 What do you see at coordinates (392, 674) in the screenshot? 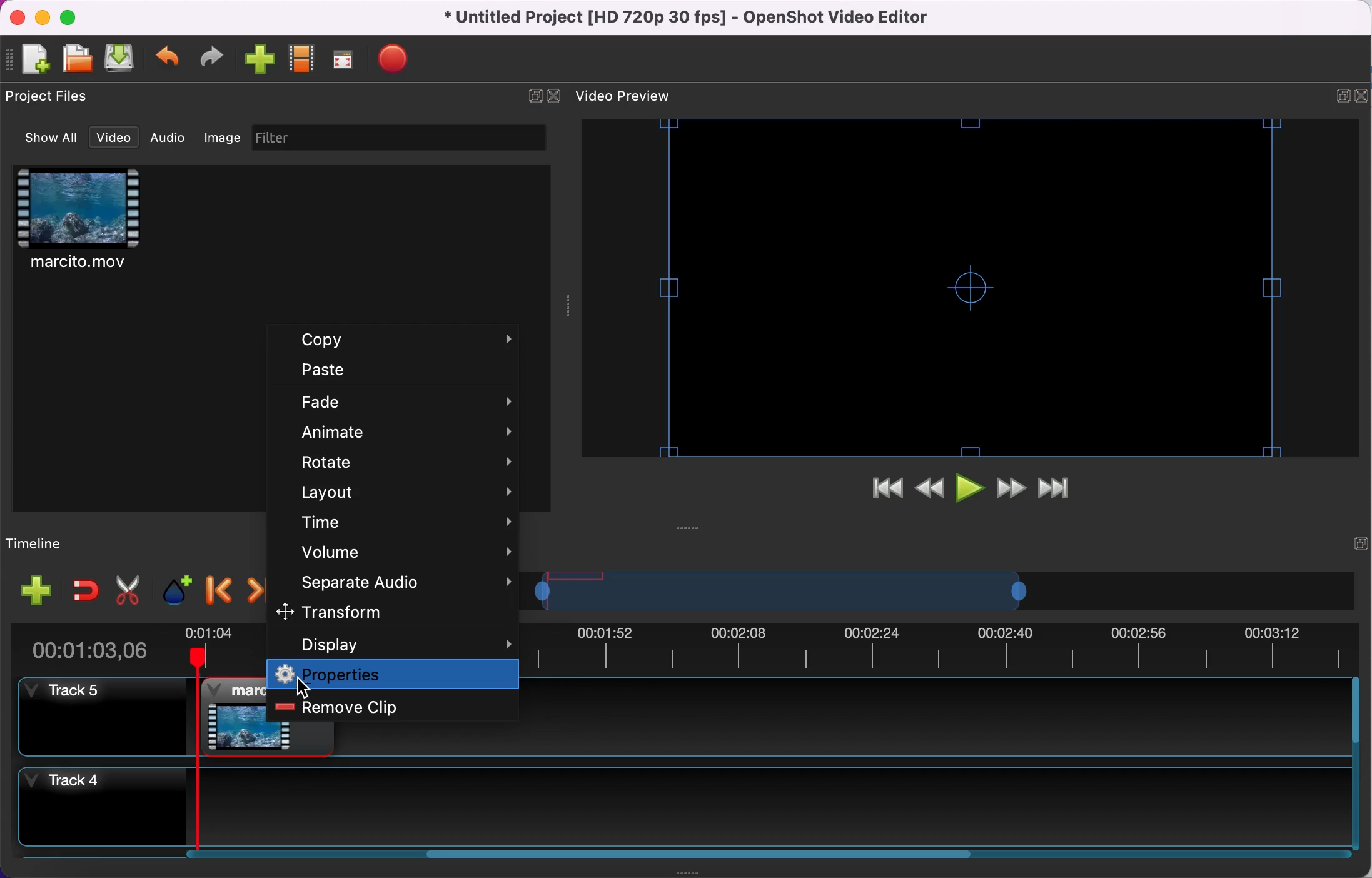
I see `properties` at bounding box center [392, 674].